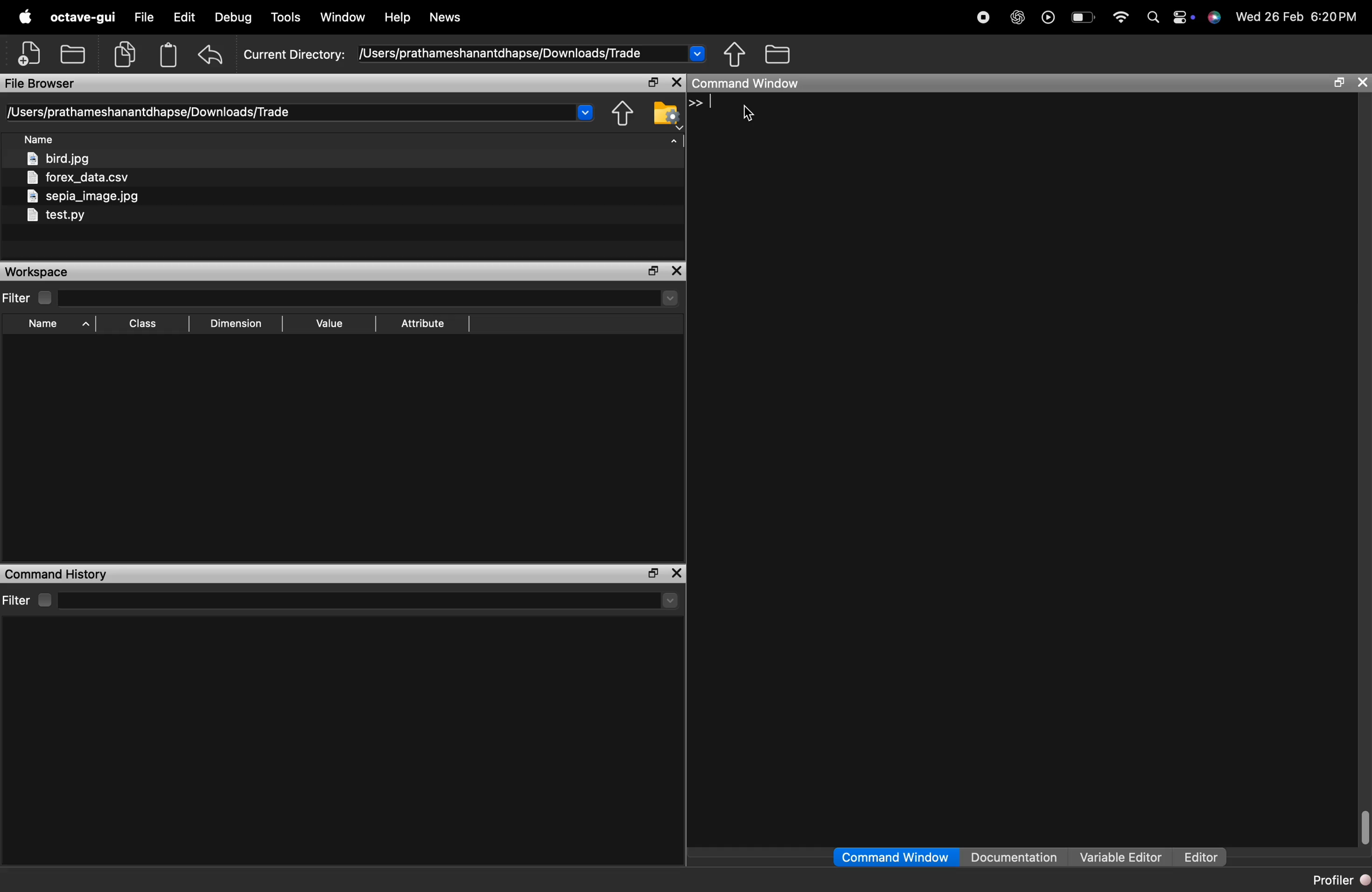 The image size is (1372, 892). I want to click on Value, so click(332, 323).